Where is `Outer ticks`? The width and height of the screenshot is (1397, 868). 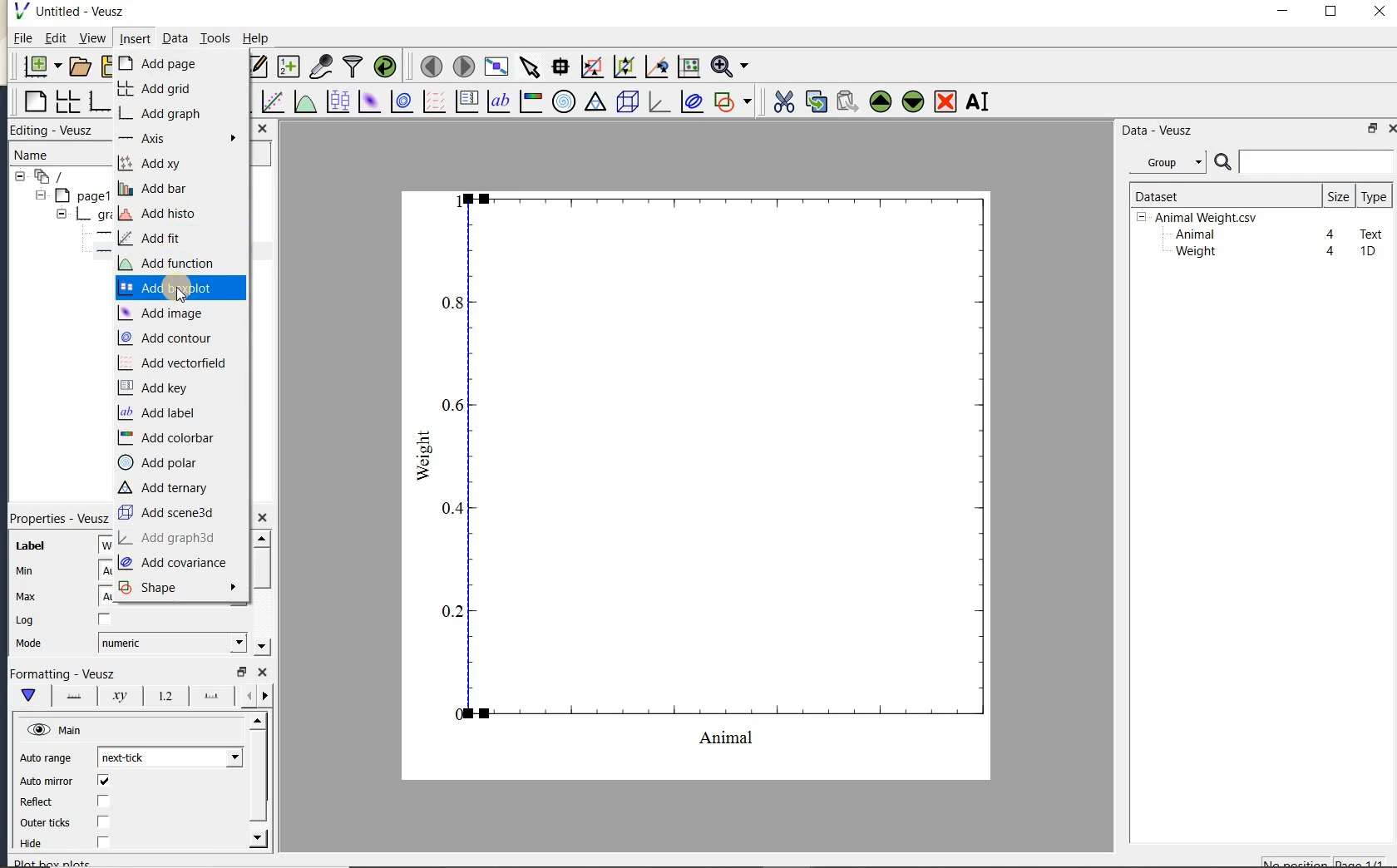
Outer ticks is located at coordinates (47, 822).